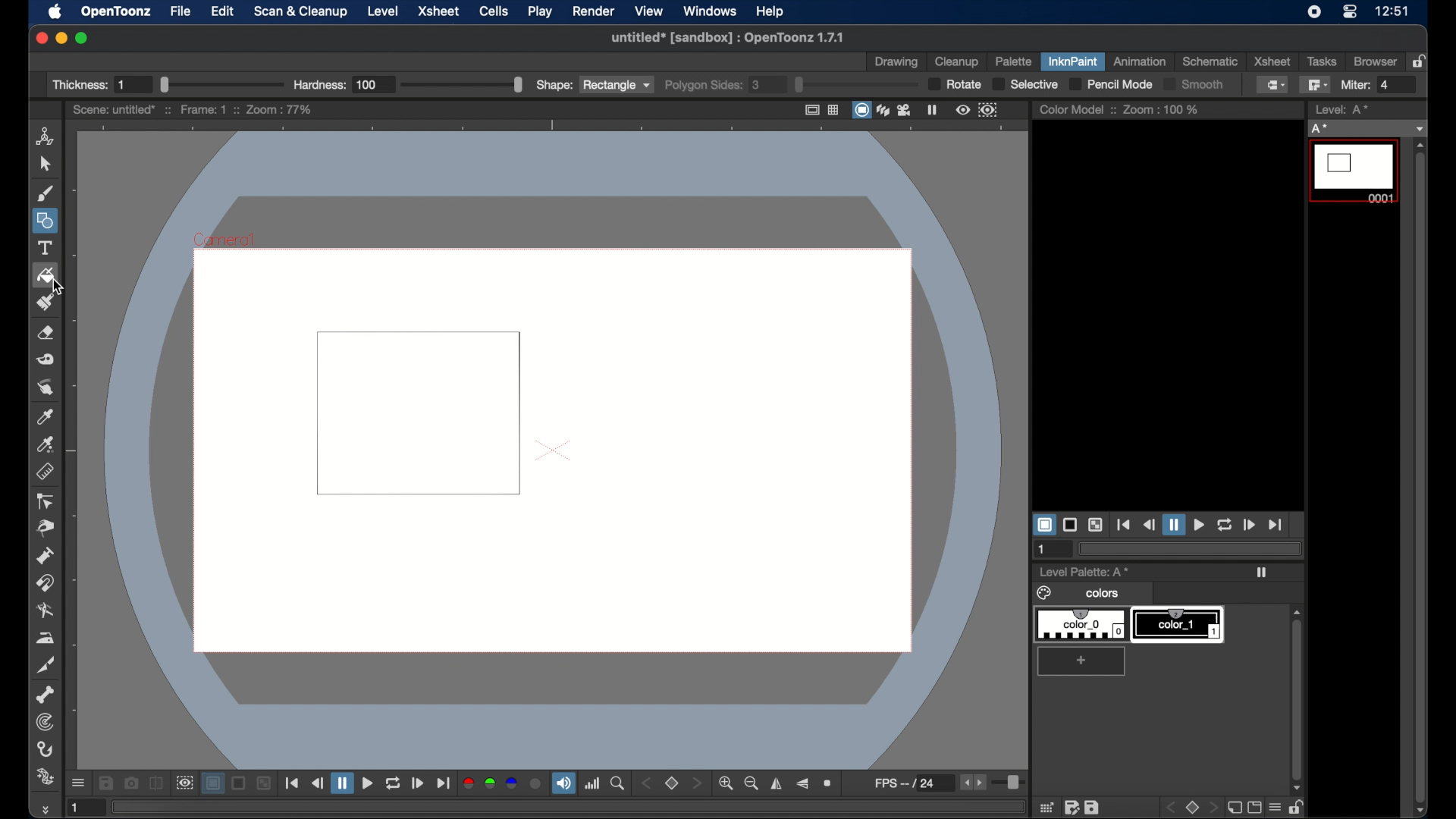  What do you see at coordinates (725, 36) in the screenshot?
I see `untitled* [sandbox] : OpenToonz 1.7.1` at bounding box center [725, 36].